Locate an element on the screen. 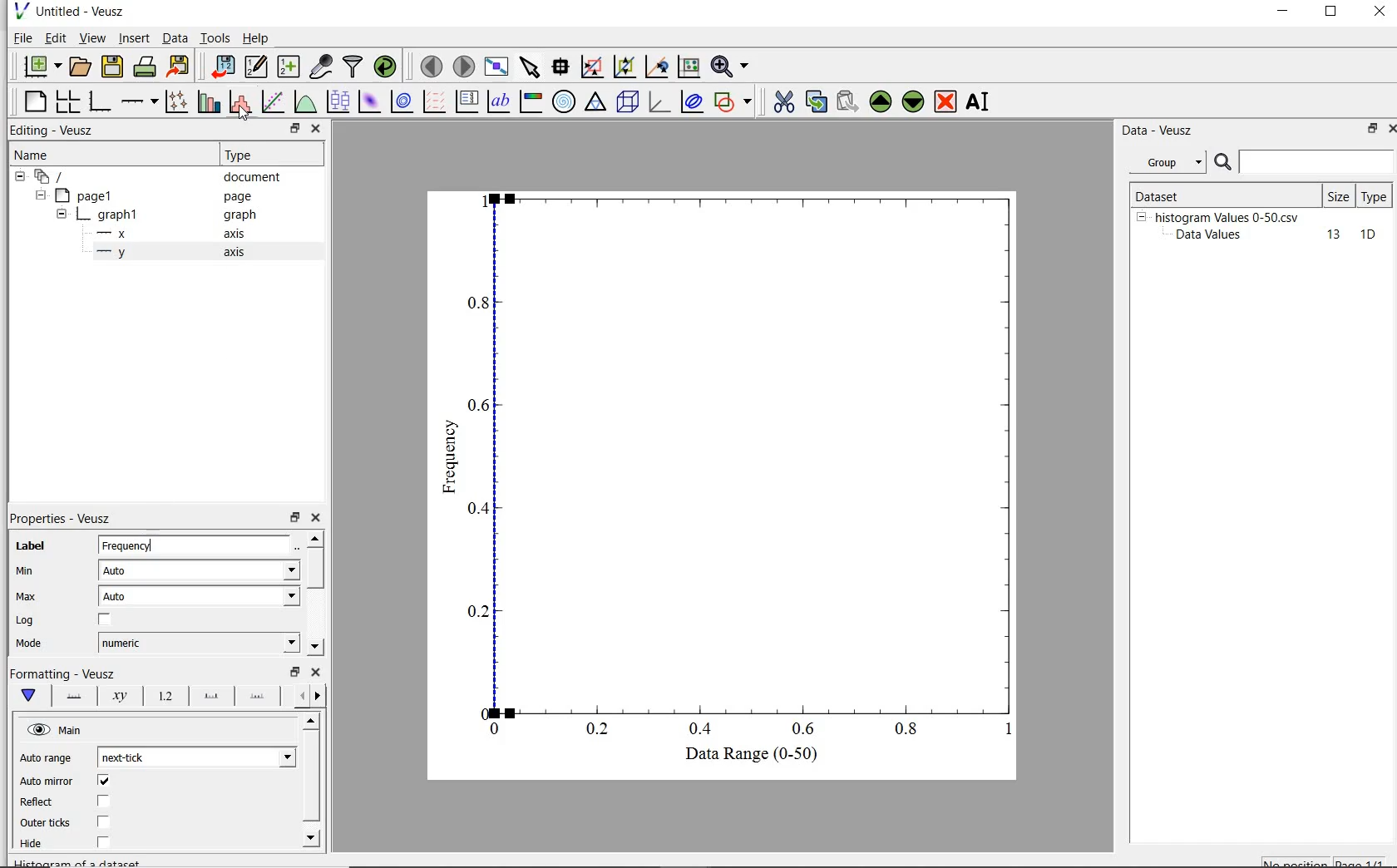  read data points on the graph is located at coordinates (562, 67).